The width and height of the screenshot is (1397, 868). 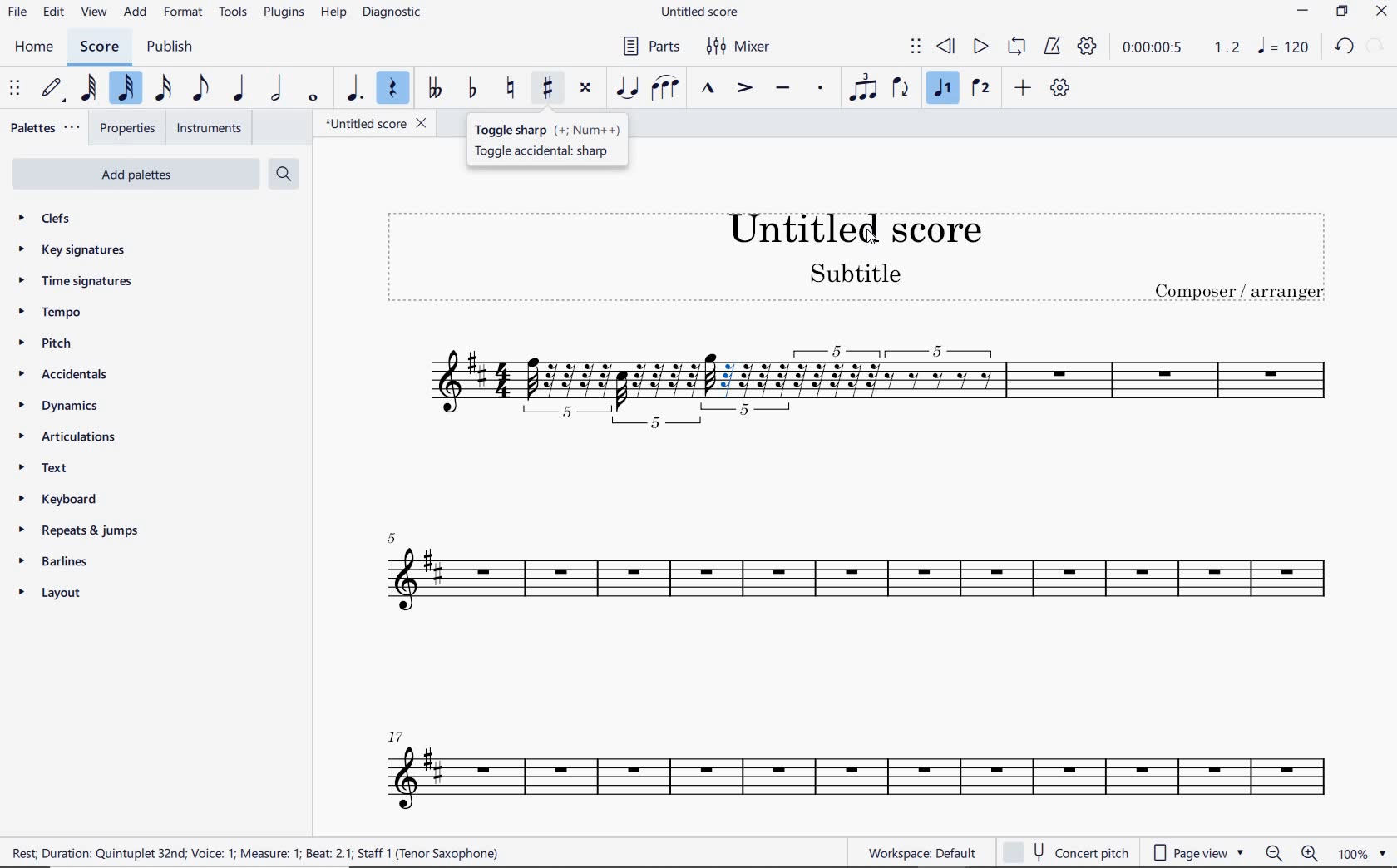 I want to click on ADD, so click(x=135, y=12).